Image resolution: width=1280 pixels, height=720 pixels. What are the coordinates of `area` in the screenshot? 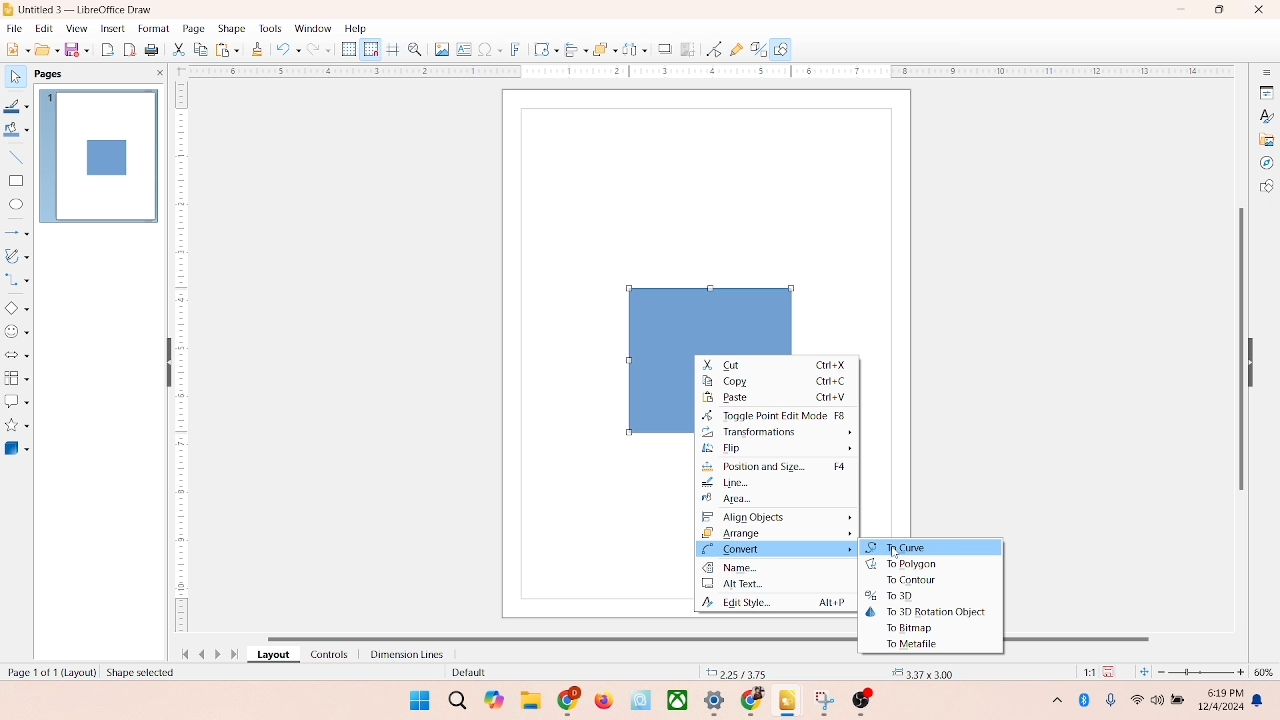 It's located at (744, 501).